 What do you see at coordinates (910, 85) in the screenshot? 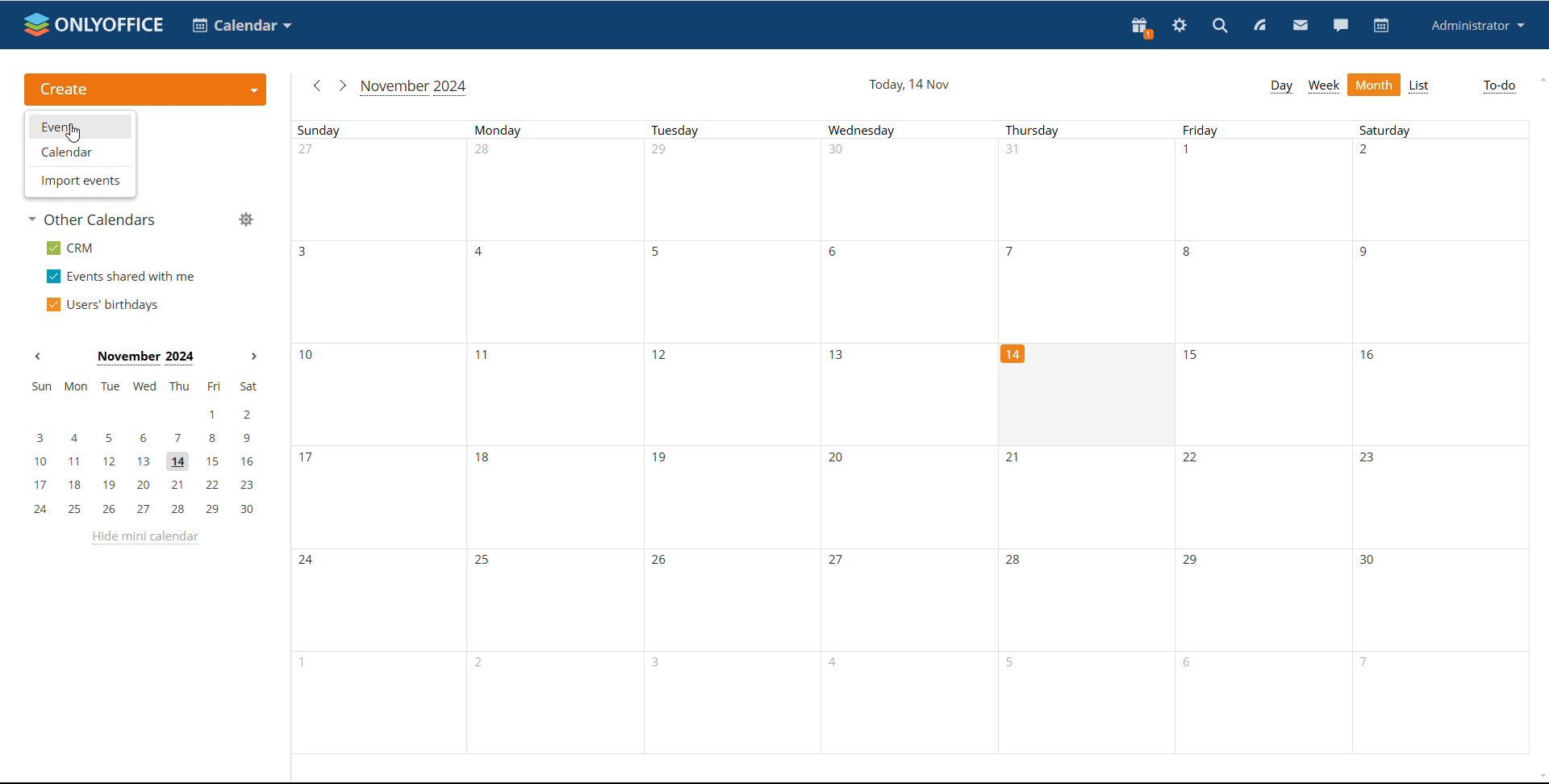
I see `current date` at bounding box center [910, 85].